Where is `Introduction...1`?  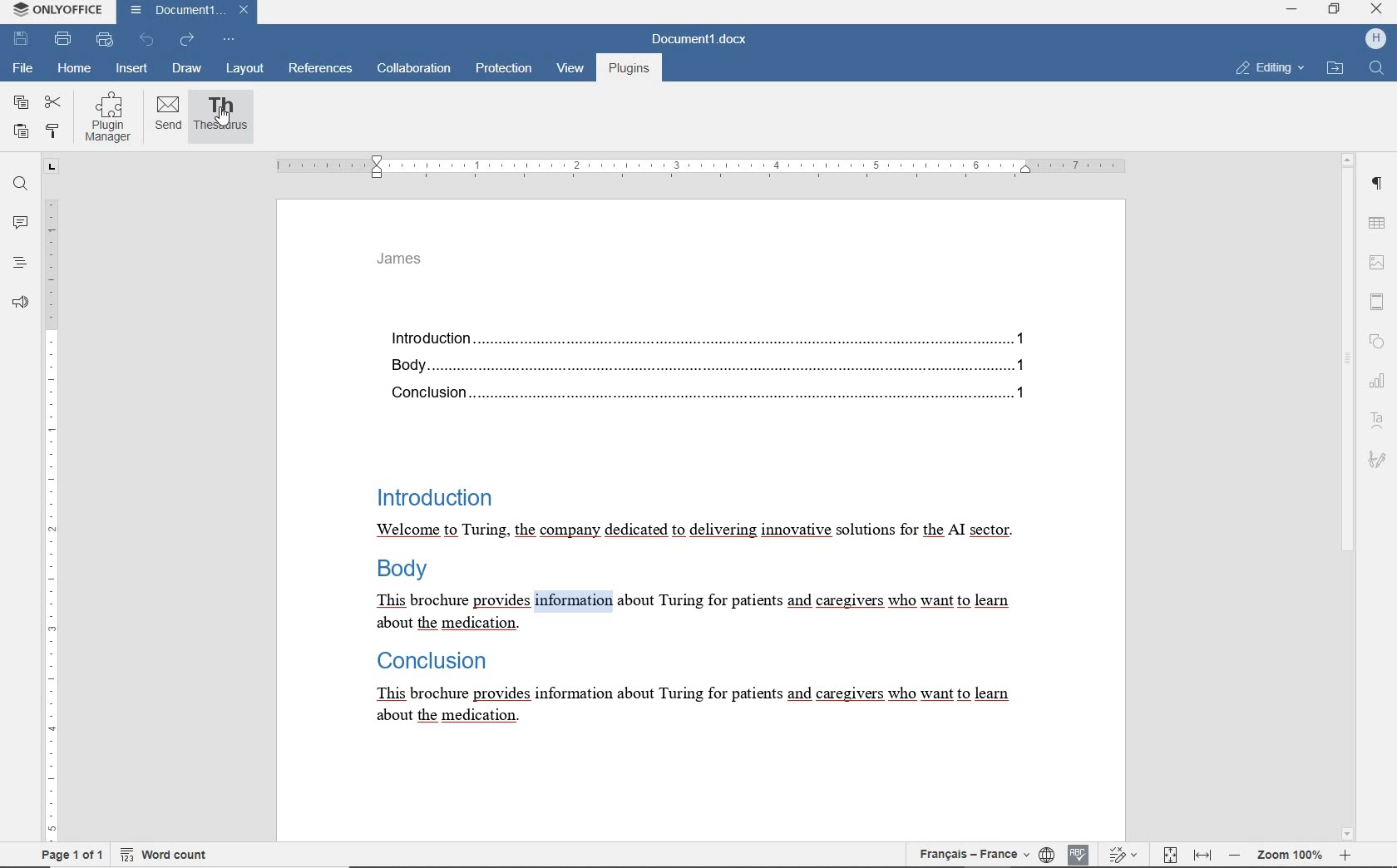 Introduction...1 is located at coordinates (703, 335).